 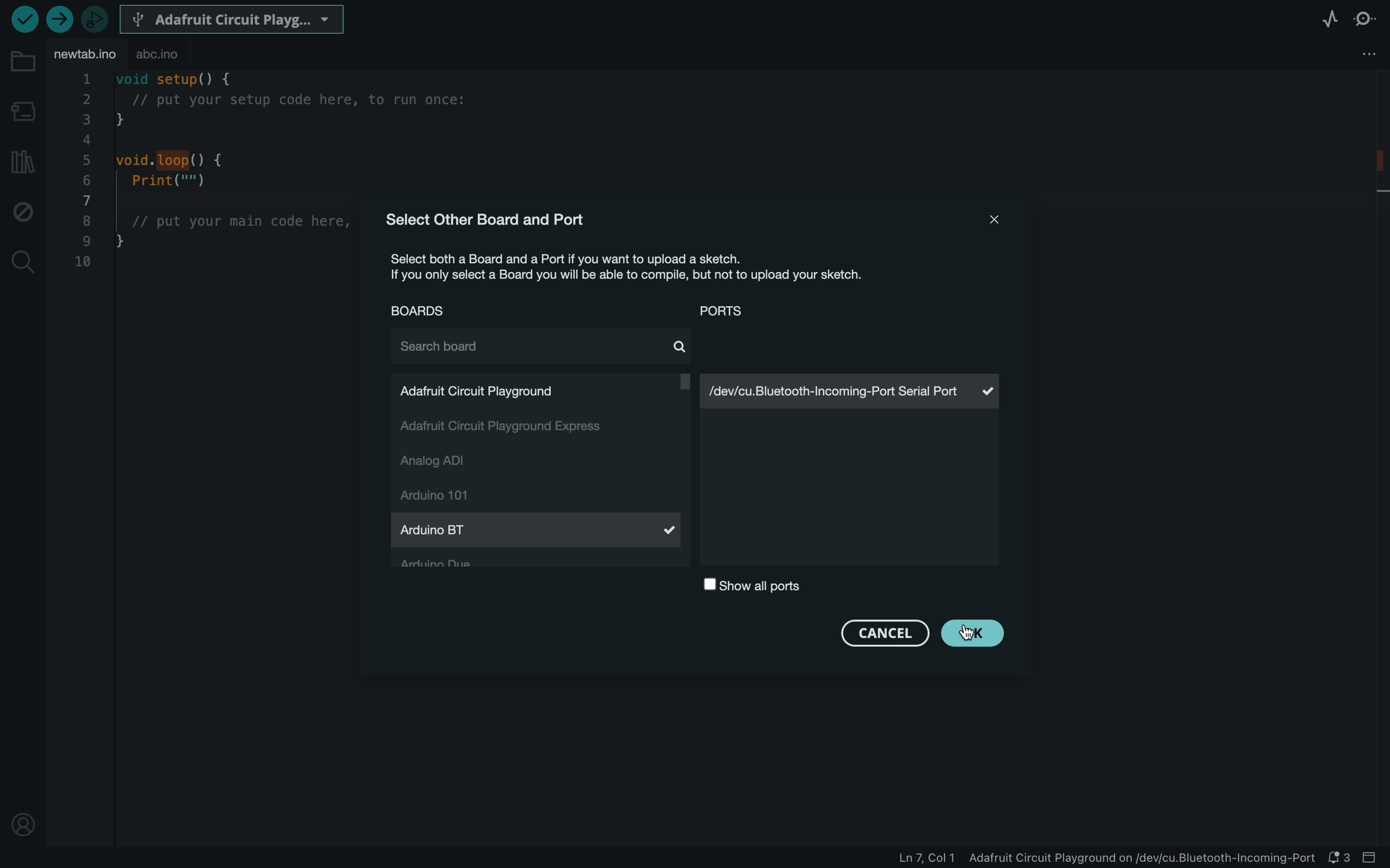 What do you see at coordinates (532, 392) in the screenshot?
I see `adafruit circut` at bounding box center [532, 392].